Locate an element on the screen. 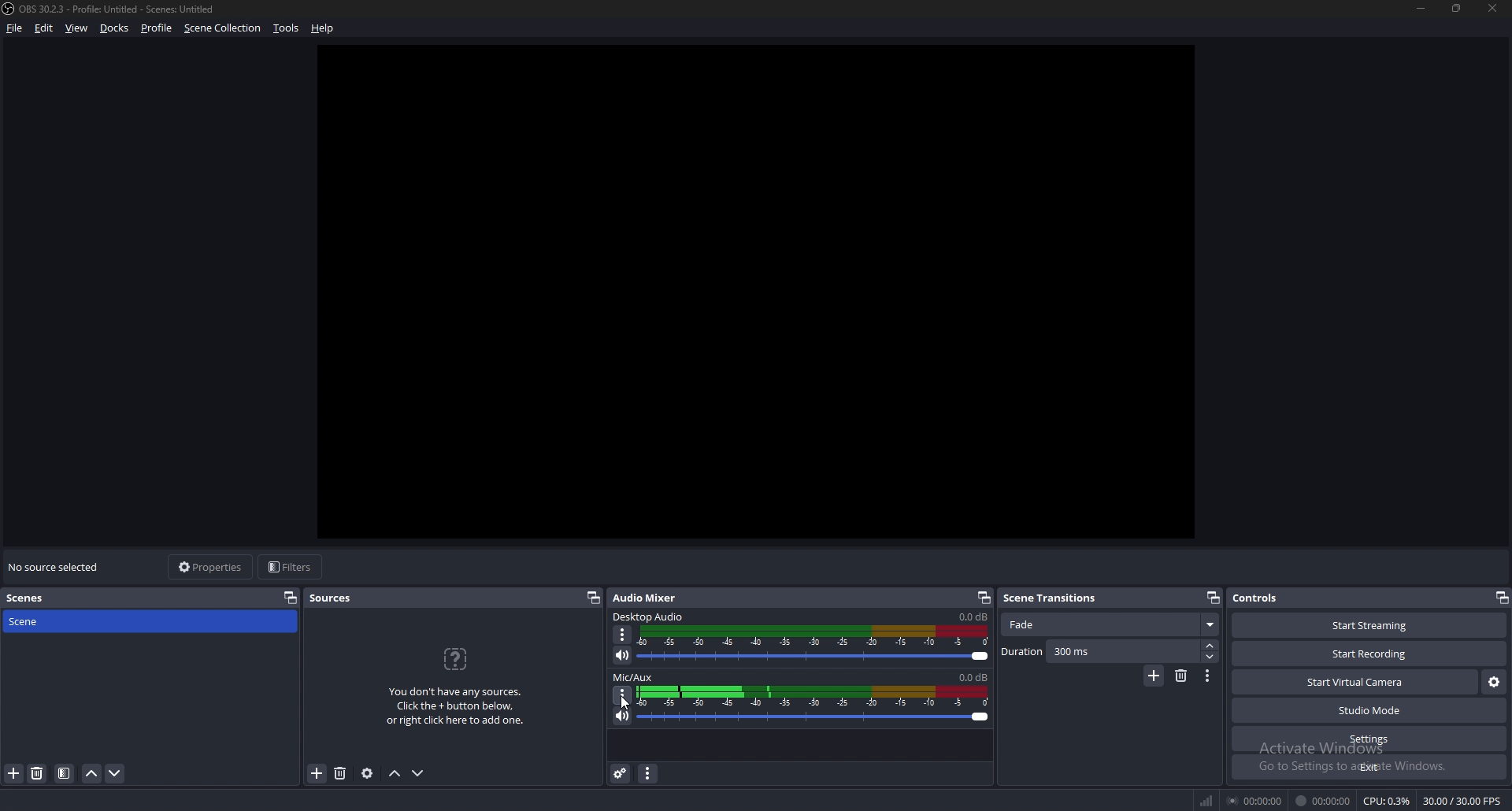 The width and height of the screenshot is (1512, 811). view is located at coordinates (76, 28).